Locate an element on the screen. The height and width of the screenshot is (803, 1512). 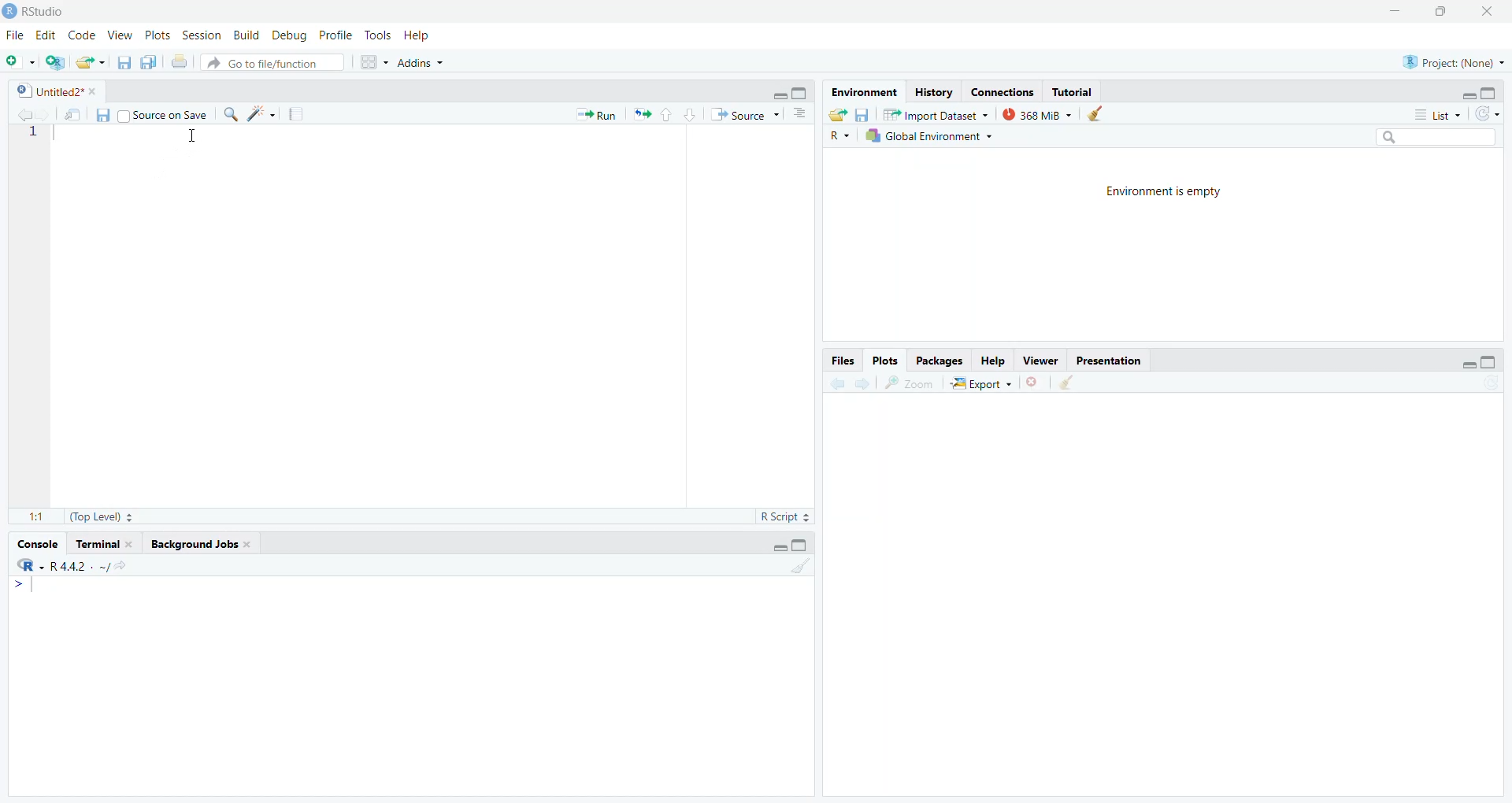
export is located at coordinates (93, 63).